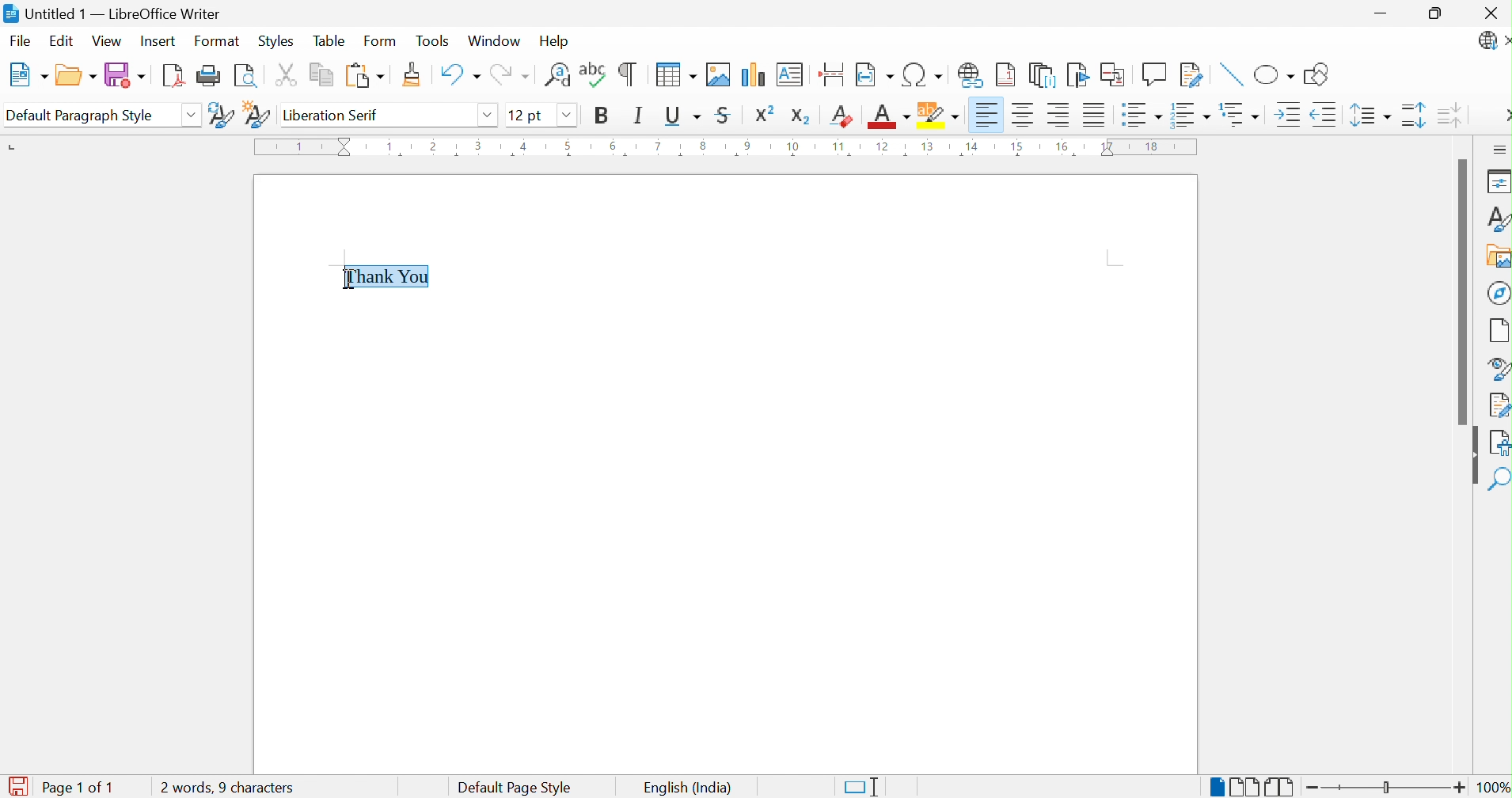 The height and width of the screenshot is (798, 1512). Describe the element at coordinates (1437, 13) in the screenshot. I see `Restore Down` at that location.